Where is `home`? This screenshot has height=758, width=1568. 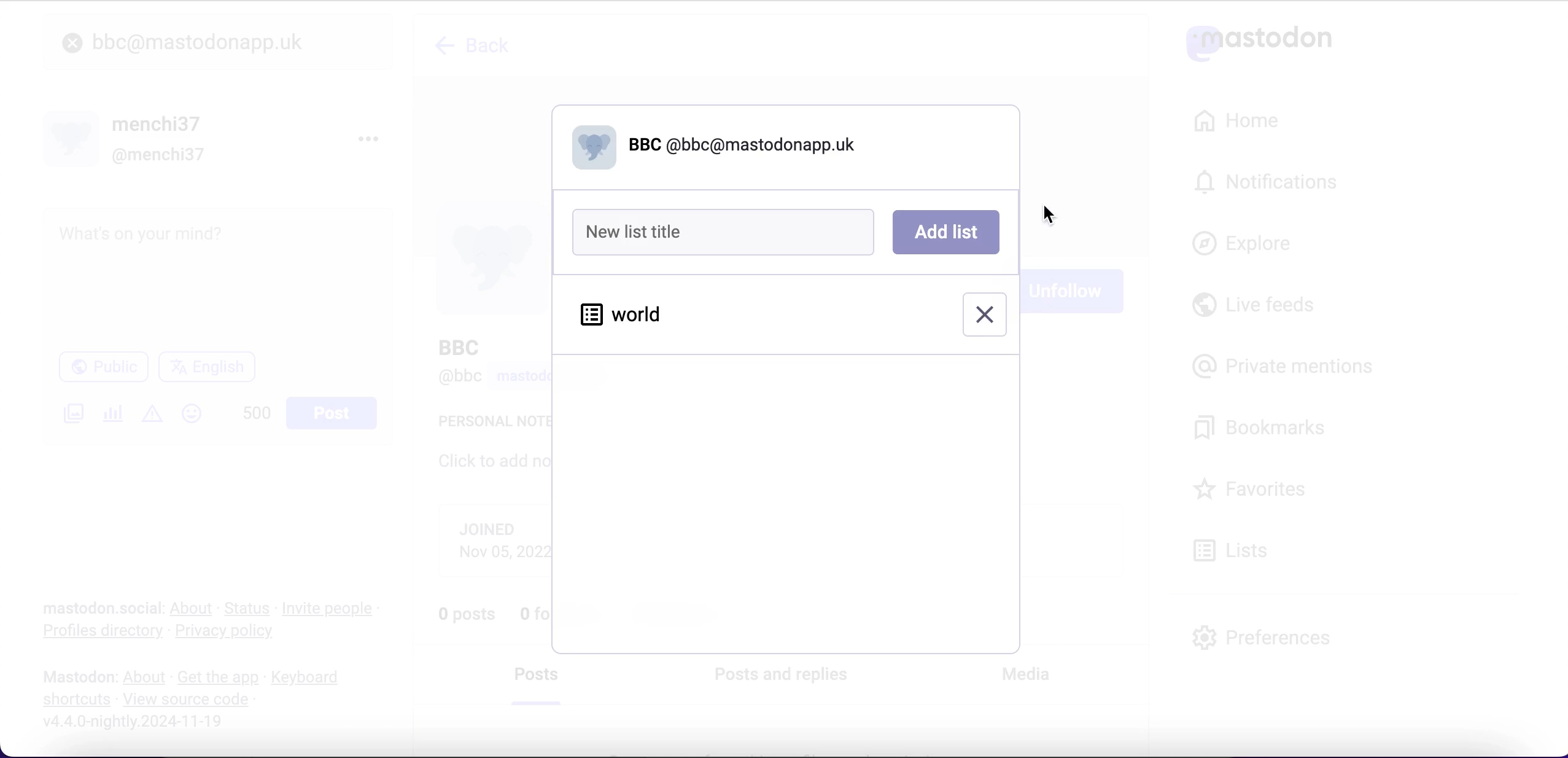 home is located at coordinates (1234, 121).